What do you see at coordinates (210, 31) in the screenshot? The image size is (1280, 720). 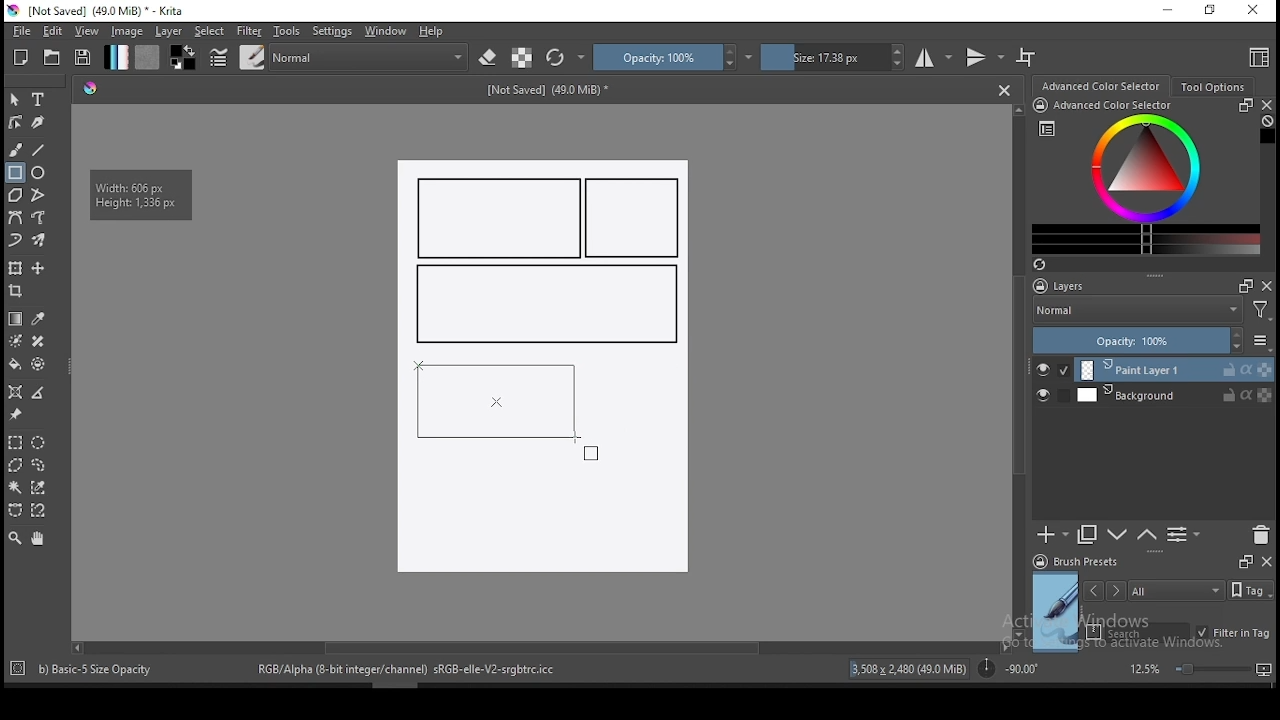 I see `select` at bounding box center [210, 31].